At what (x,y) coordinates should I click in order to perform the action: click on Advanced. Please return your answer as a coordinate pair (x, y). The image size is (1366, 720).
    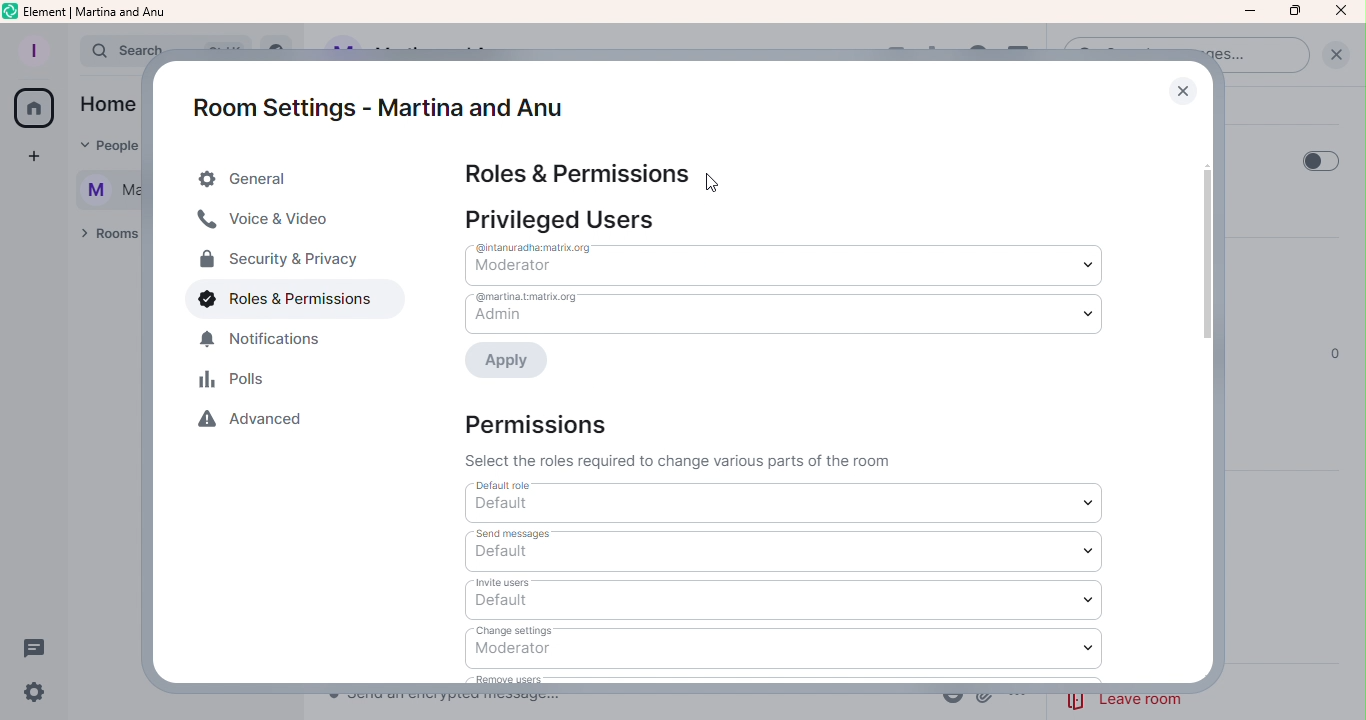
    Looking at the image, I should click on (259, 424).